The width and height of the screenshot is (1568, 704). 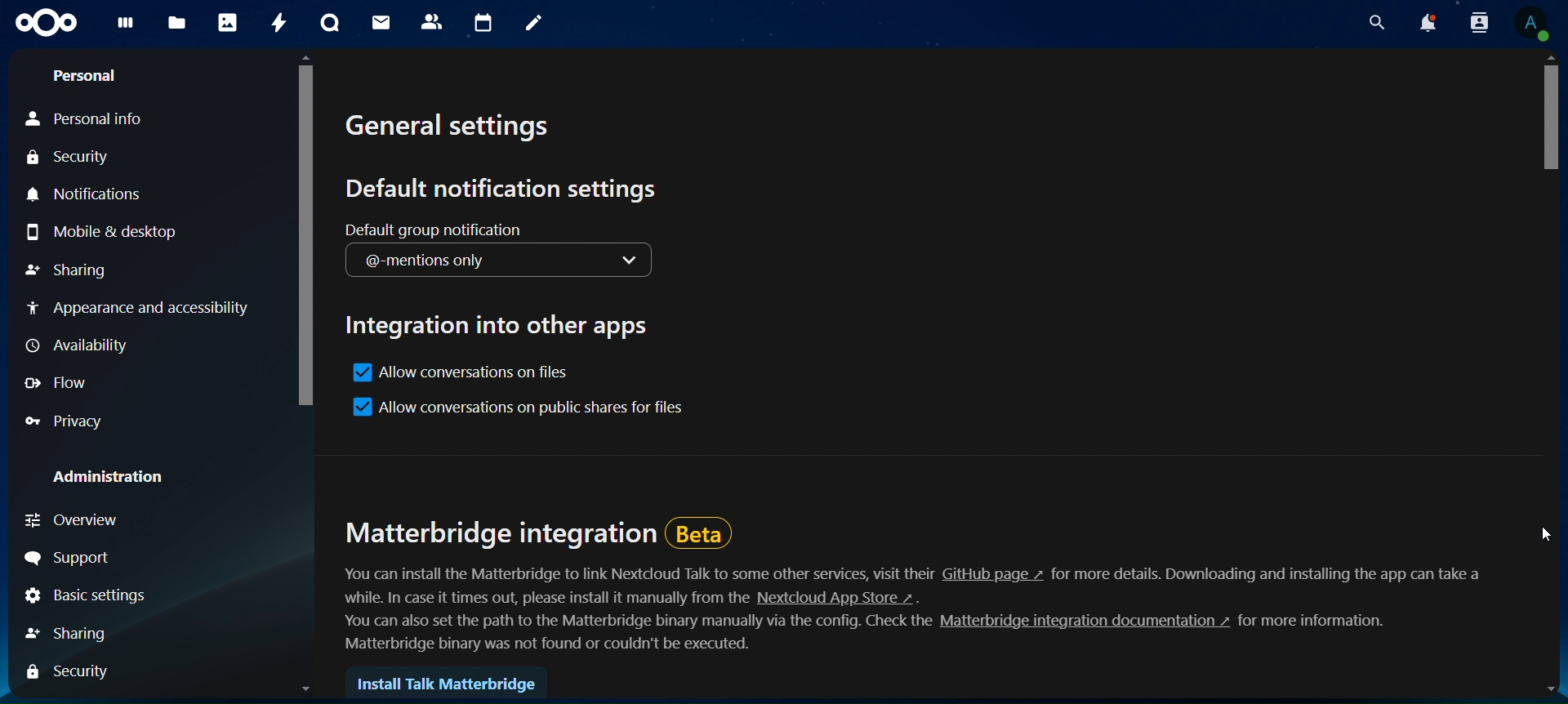 What do you see at coordinates (229, 23) in the screenshot?
I see `photos` at bounding box center [229, 23].